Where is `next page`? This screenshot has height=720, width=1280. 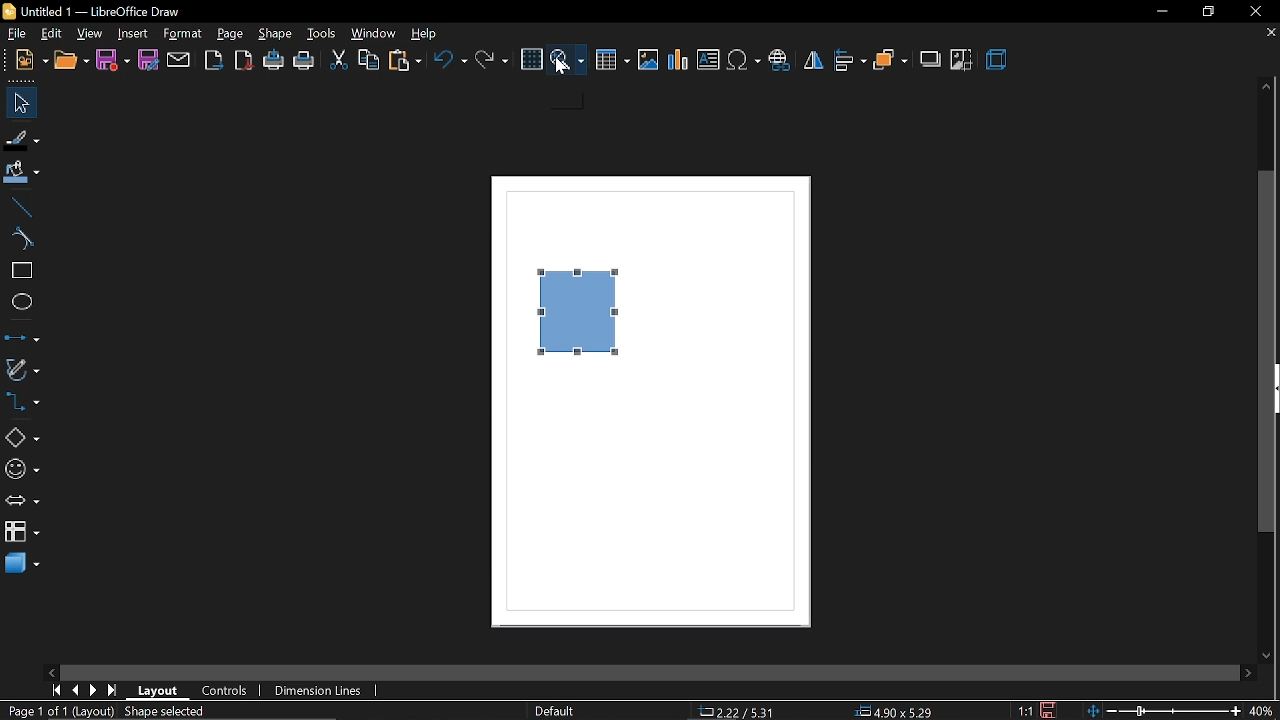
next page is located at coordinates (93, 690).